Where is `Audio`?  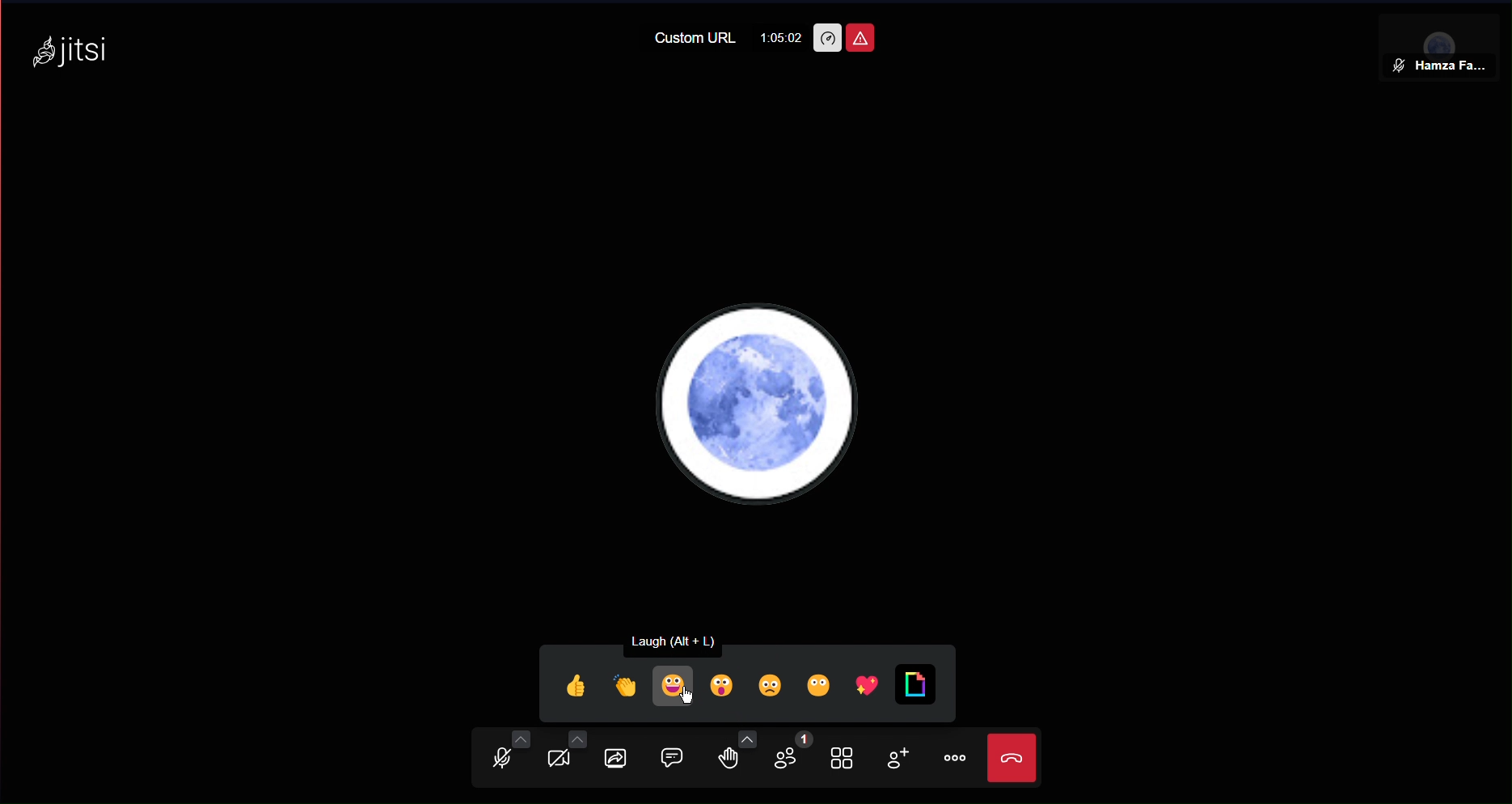
Audio is located at coordinates (500, 757).